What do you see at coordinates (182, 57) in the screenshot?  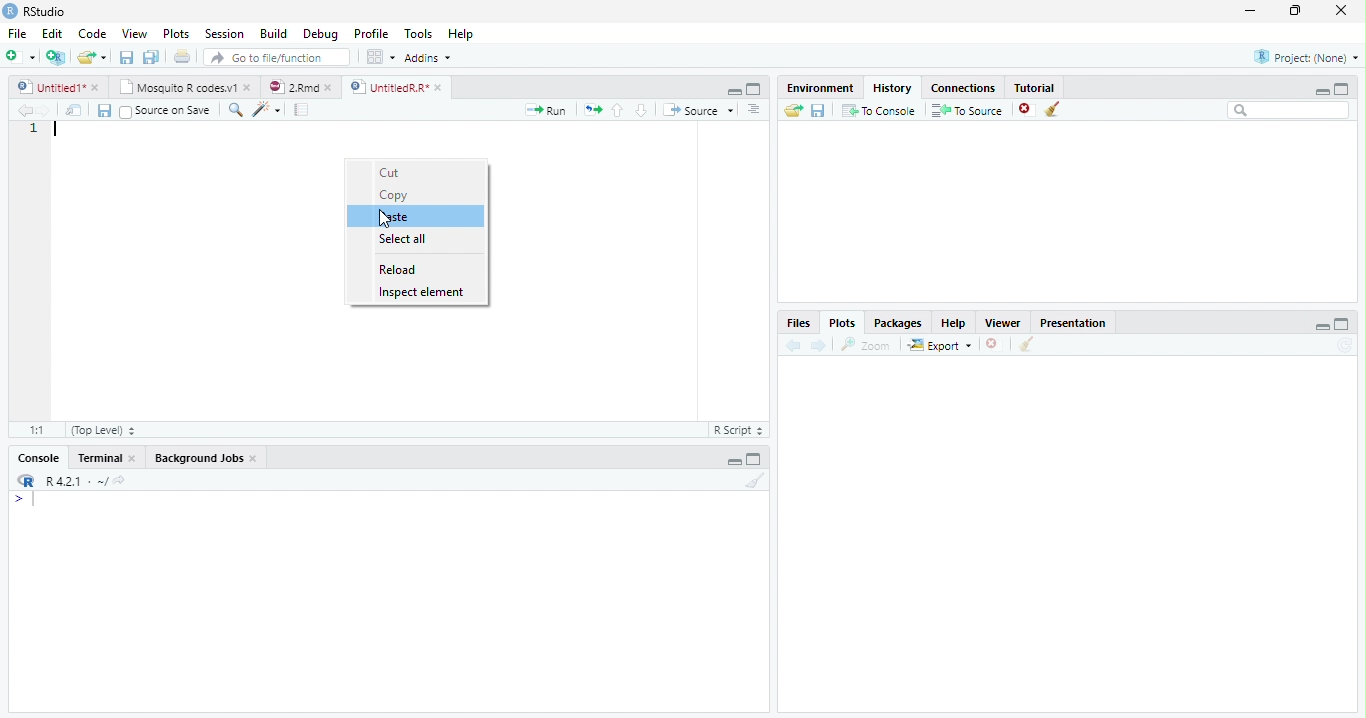 I see `Print` at bounding box center [182, 57].